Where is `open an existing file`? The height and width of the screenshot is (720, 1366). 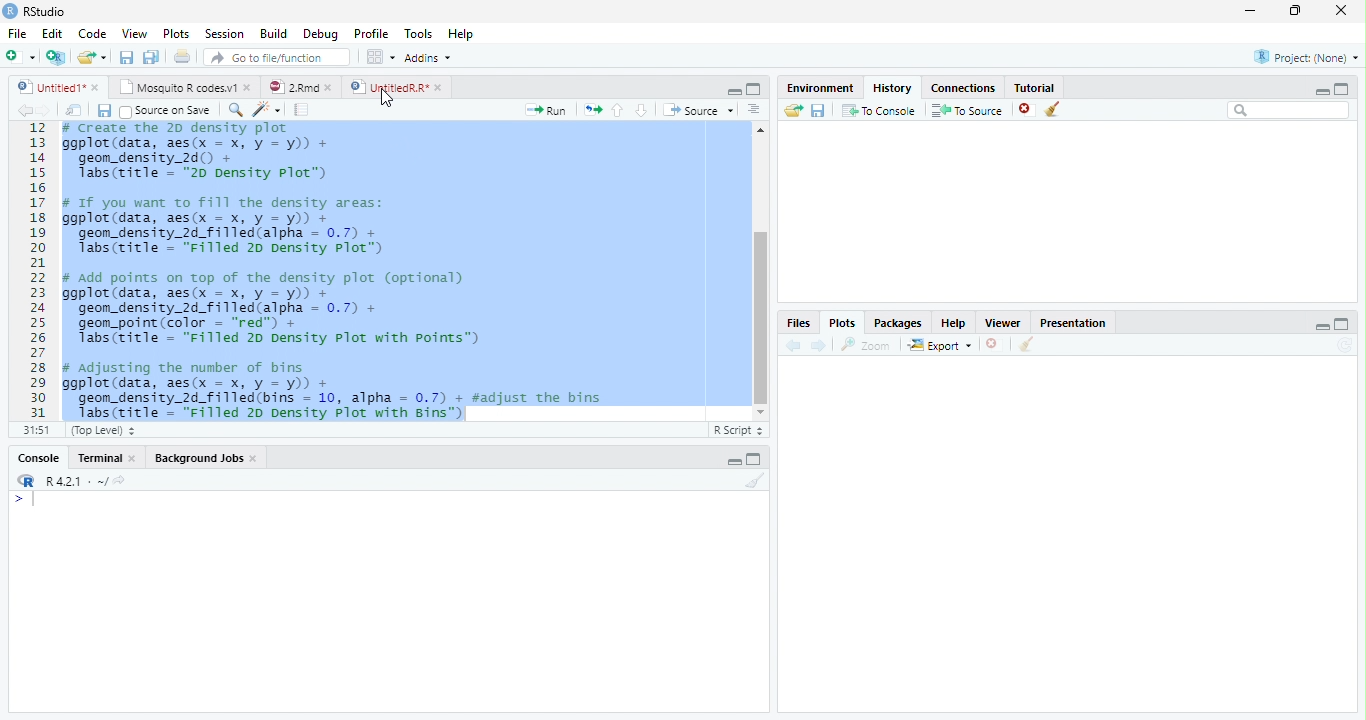
open an existing file is located at coordinates (90, 57).